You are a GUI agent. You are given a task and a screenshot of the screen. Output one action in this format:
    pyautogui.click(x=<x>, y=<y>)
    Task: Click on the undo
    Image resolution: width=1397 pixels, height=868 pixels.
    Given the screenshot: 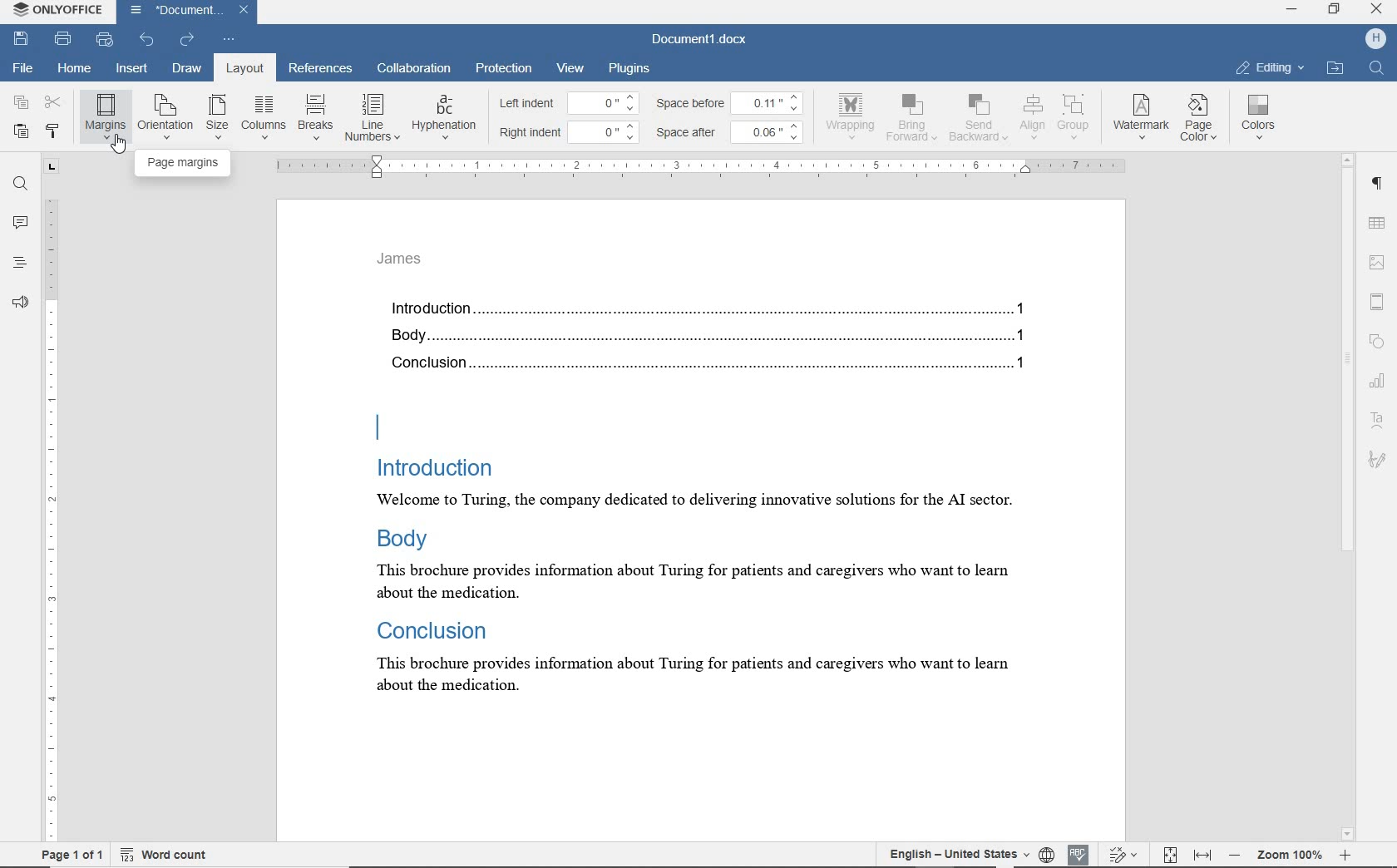 What is the action you would take?
    pyautogui.click(x=146, y=40)
    